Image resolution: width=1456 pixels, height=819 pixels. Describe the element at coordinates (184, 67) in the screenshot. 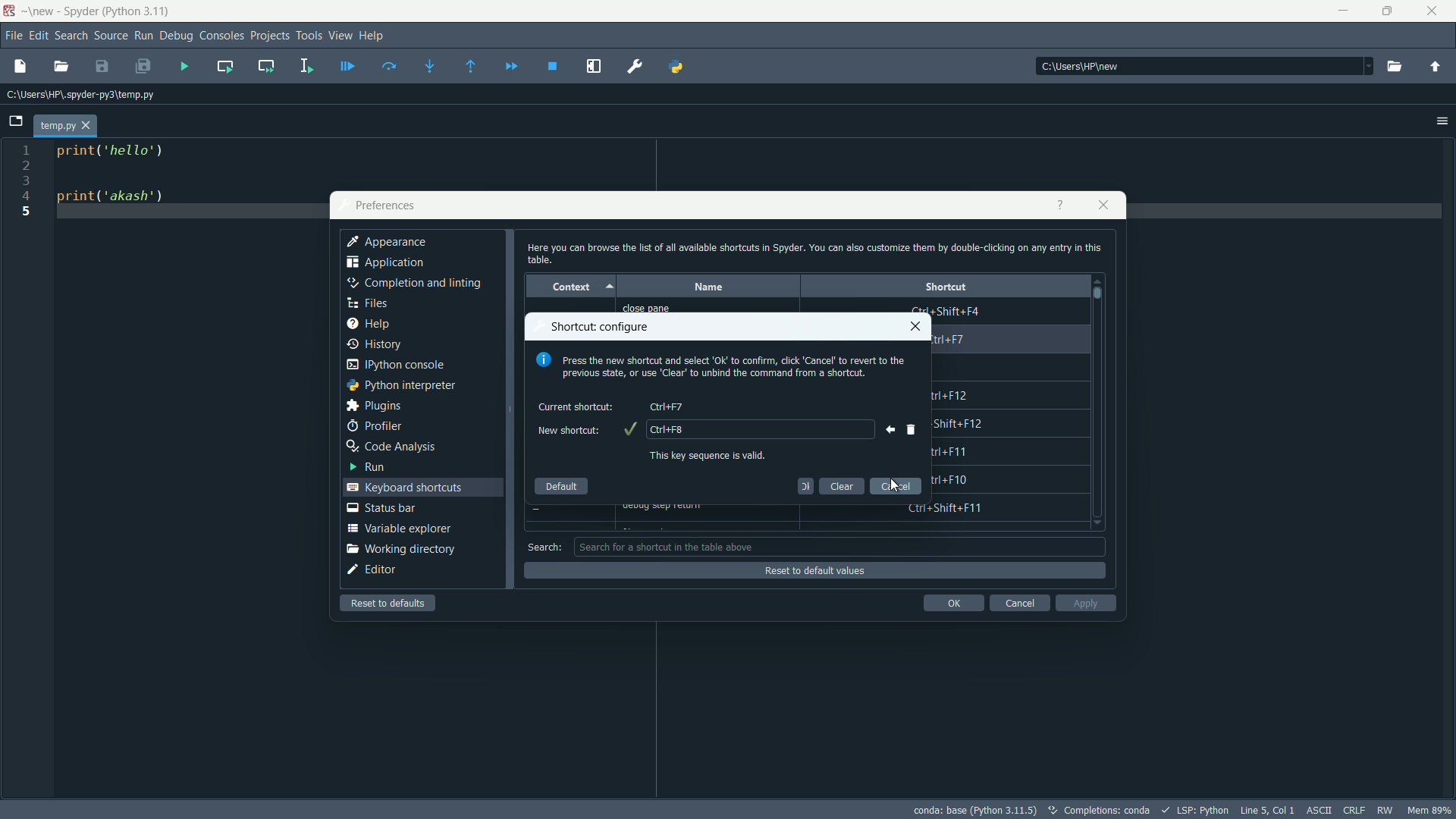

I see `debug file` at that location.